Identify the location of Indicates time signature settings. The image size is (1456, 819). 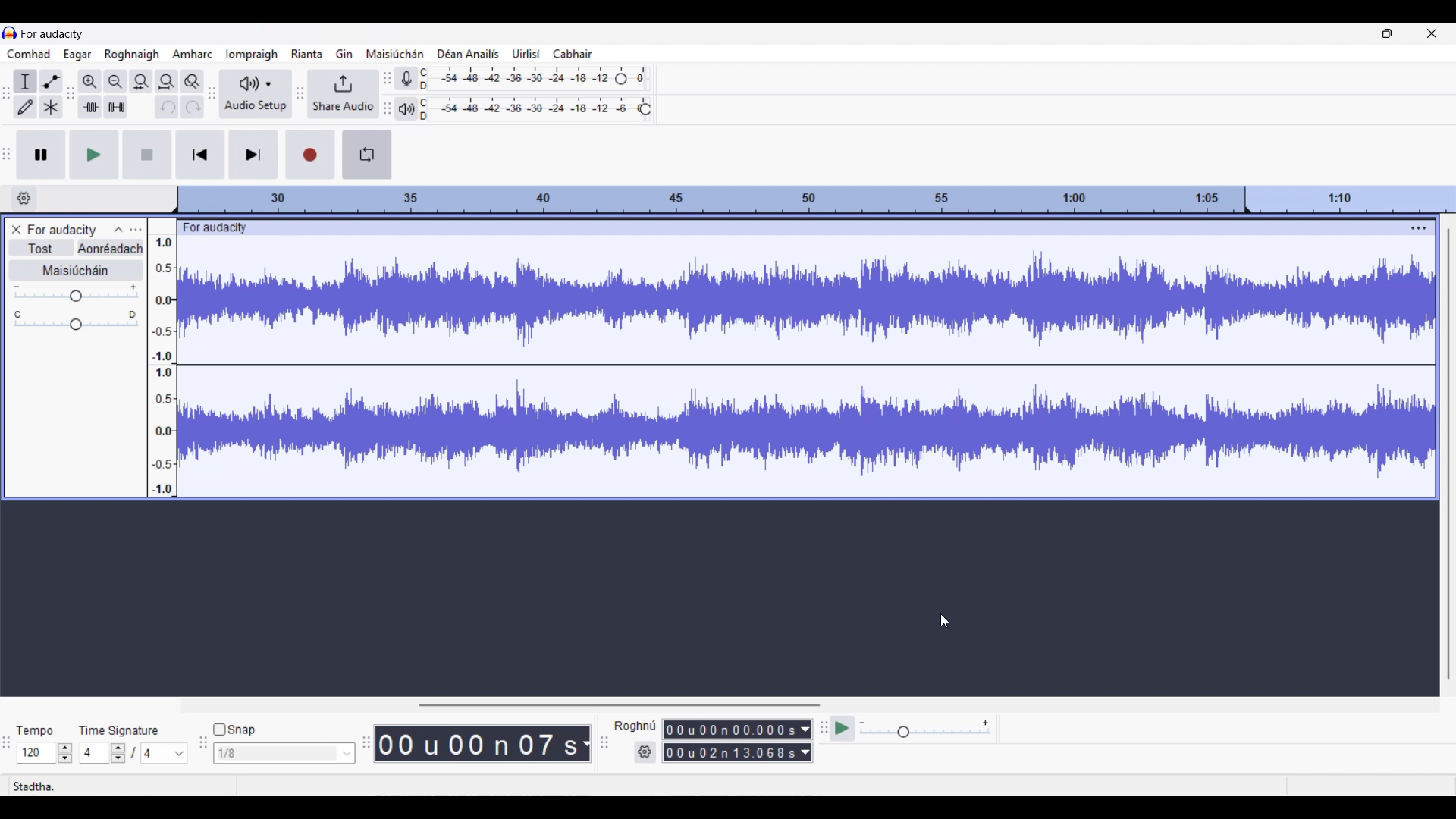
(120, 730).